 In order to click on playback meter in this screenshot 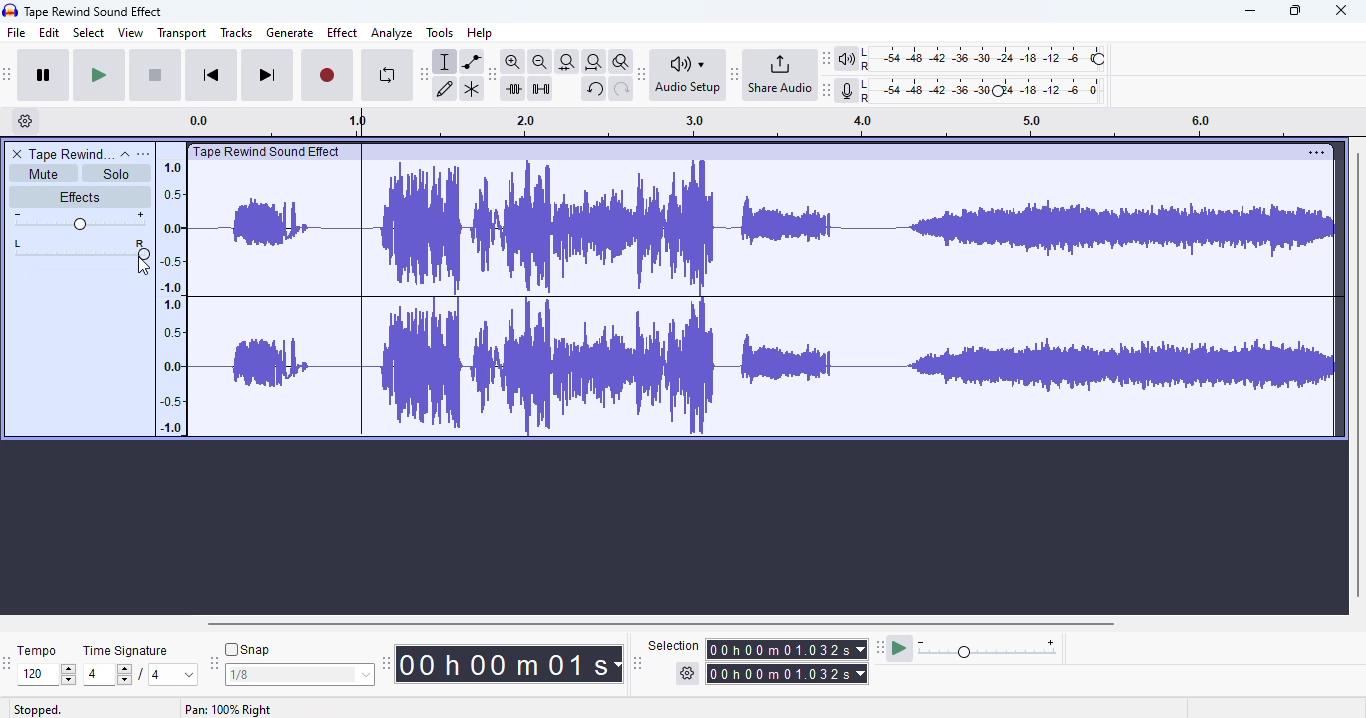, I will do `click(973, 59)`.